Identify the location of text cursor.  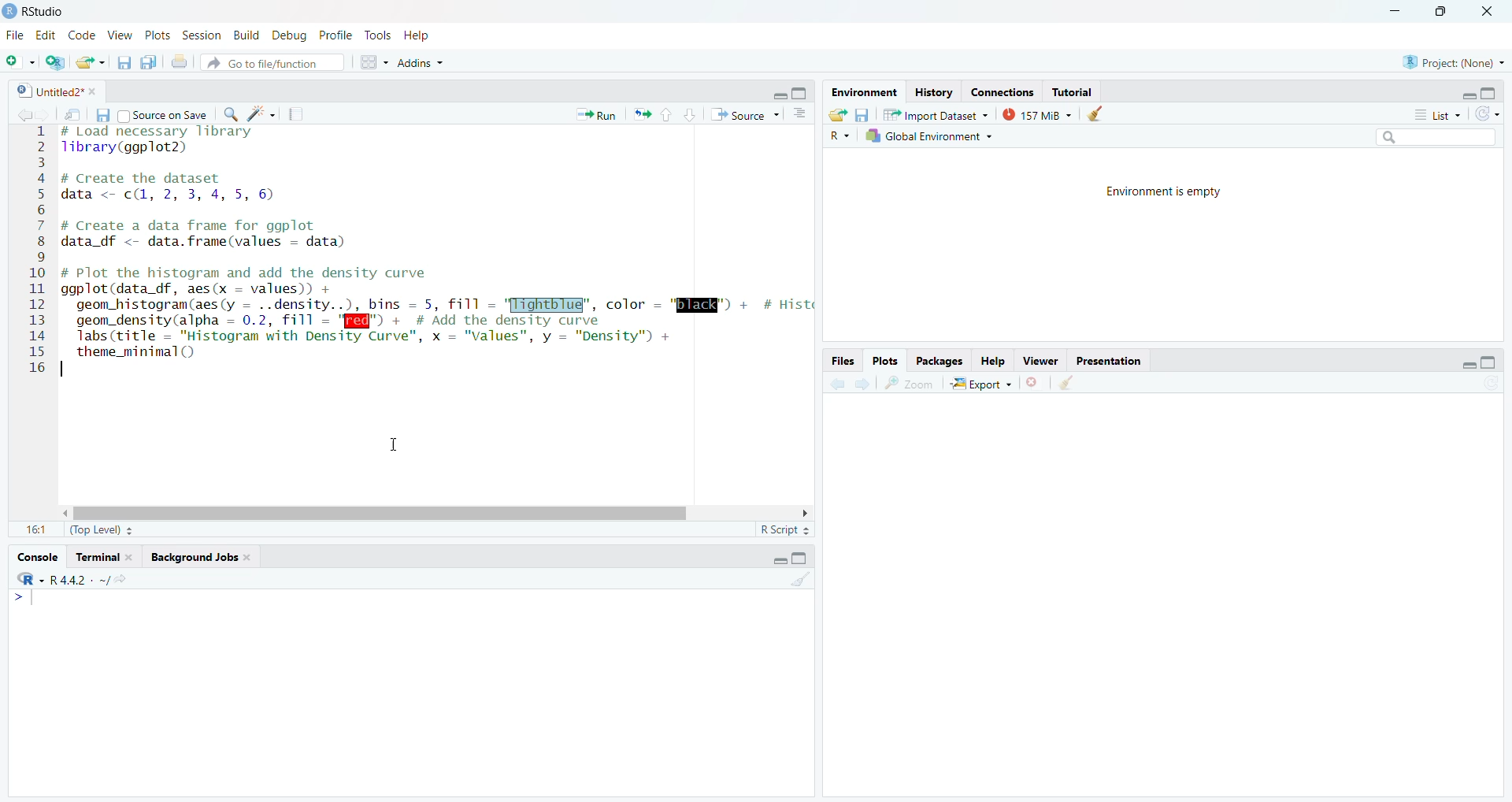
(37, 597).